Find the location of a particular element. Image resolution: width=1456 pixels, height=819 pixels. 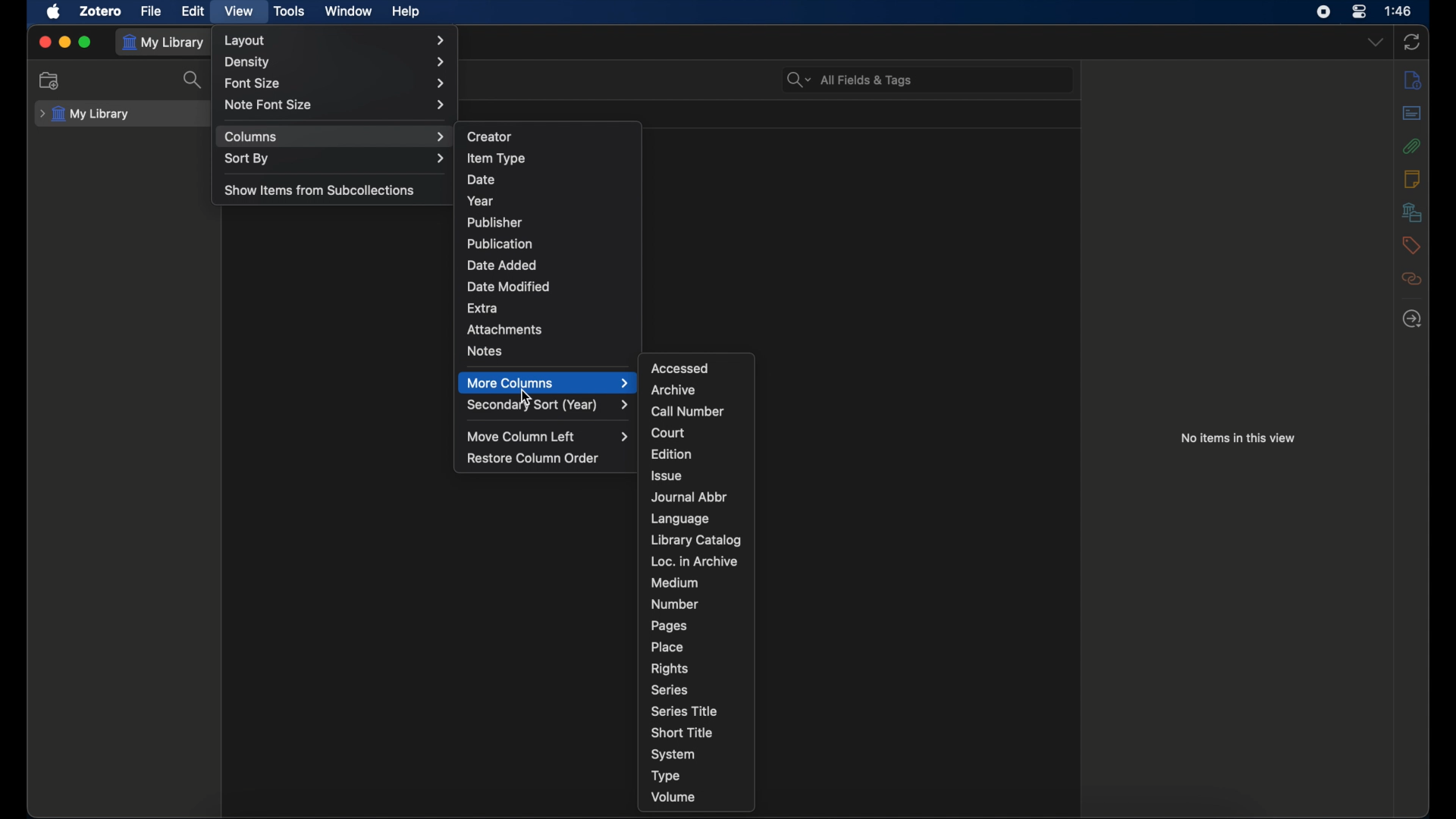

item type is located at coordinates (495, 158).